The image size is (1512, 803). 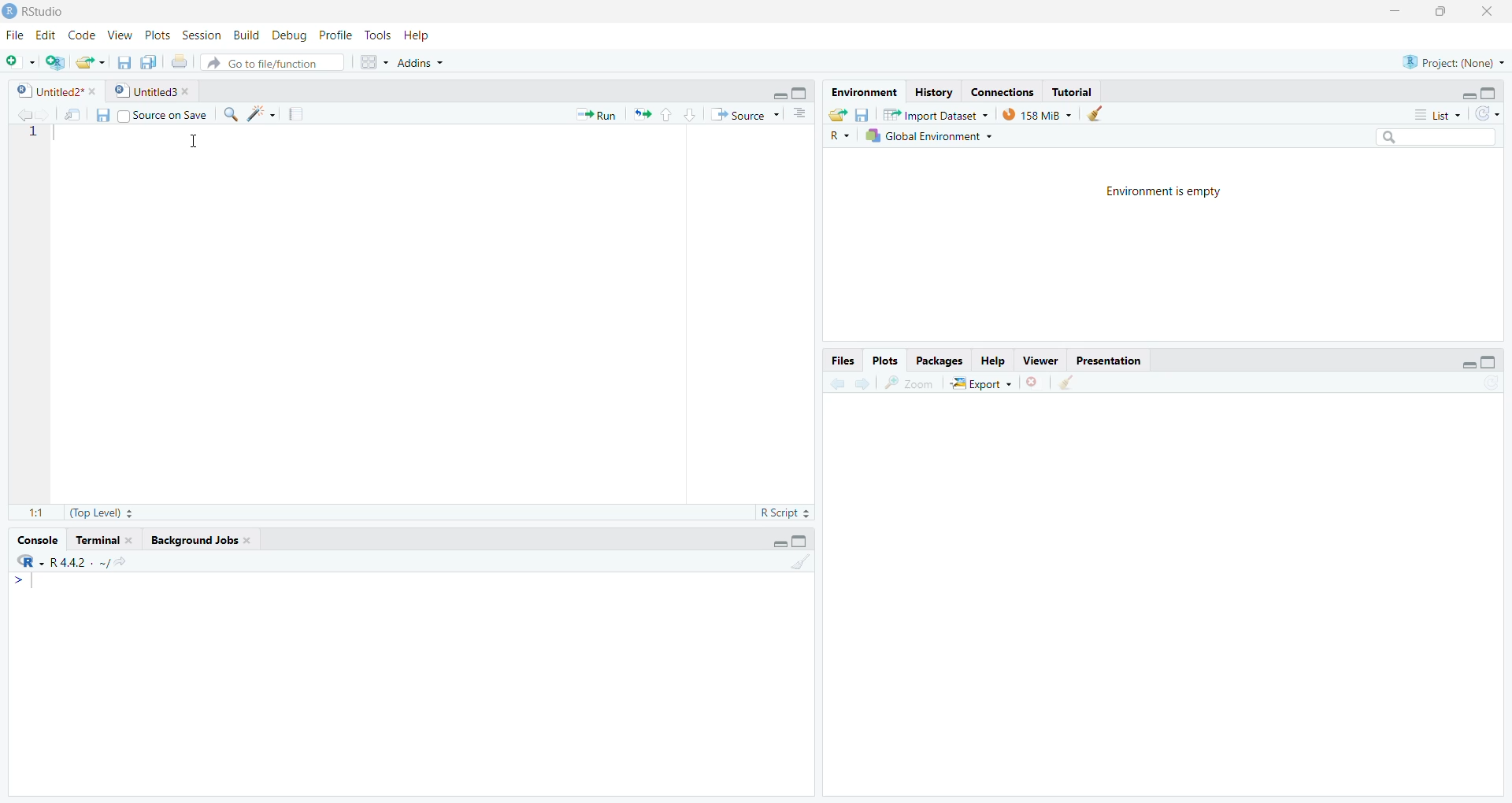 I want to click on compile report, so click(x=289, y=112).